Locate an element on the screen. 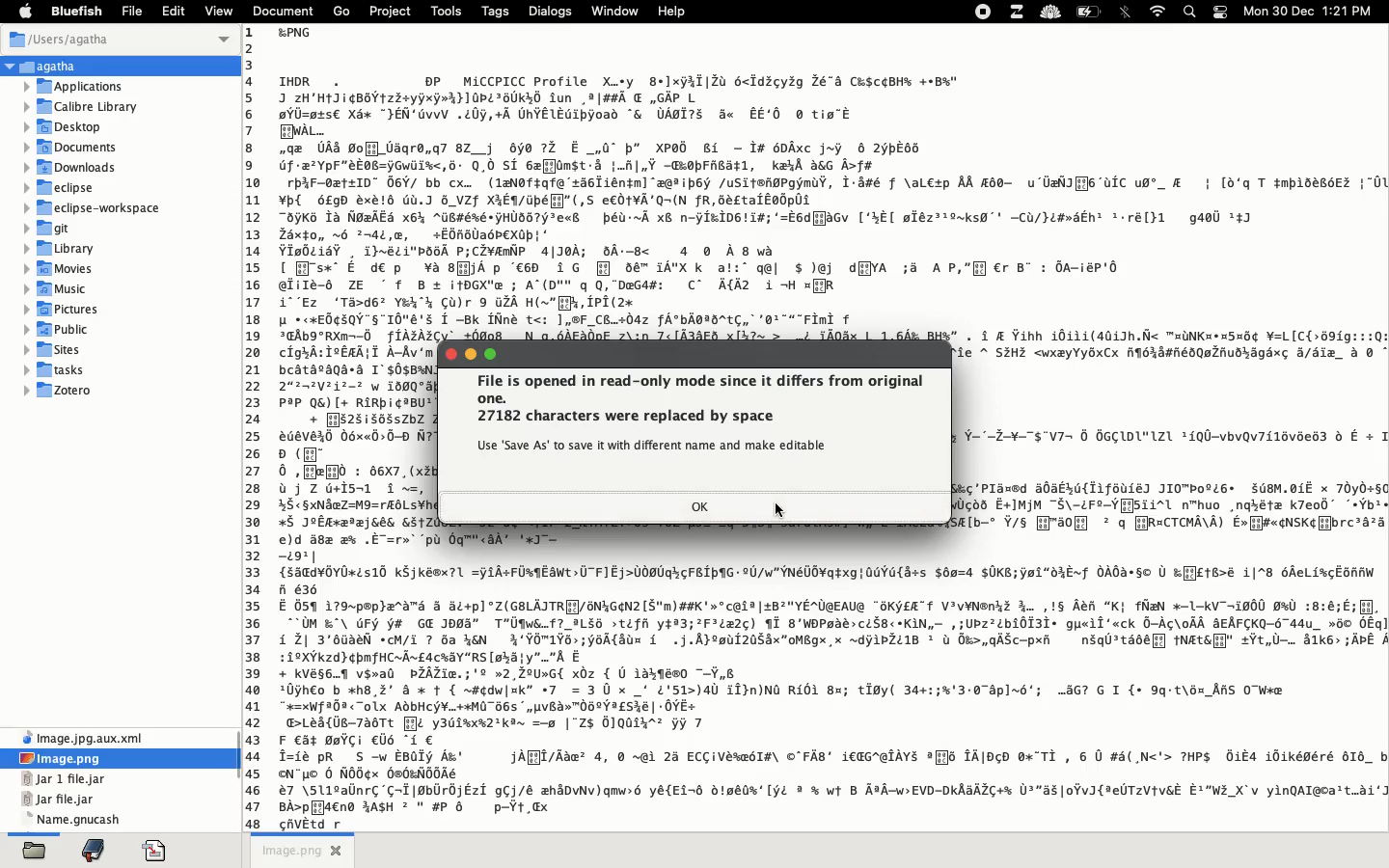 The width and height of the screenshot is (1389, 868). internet is located at coordinates (1158, 12).